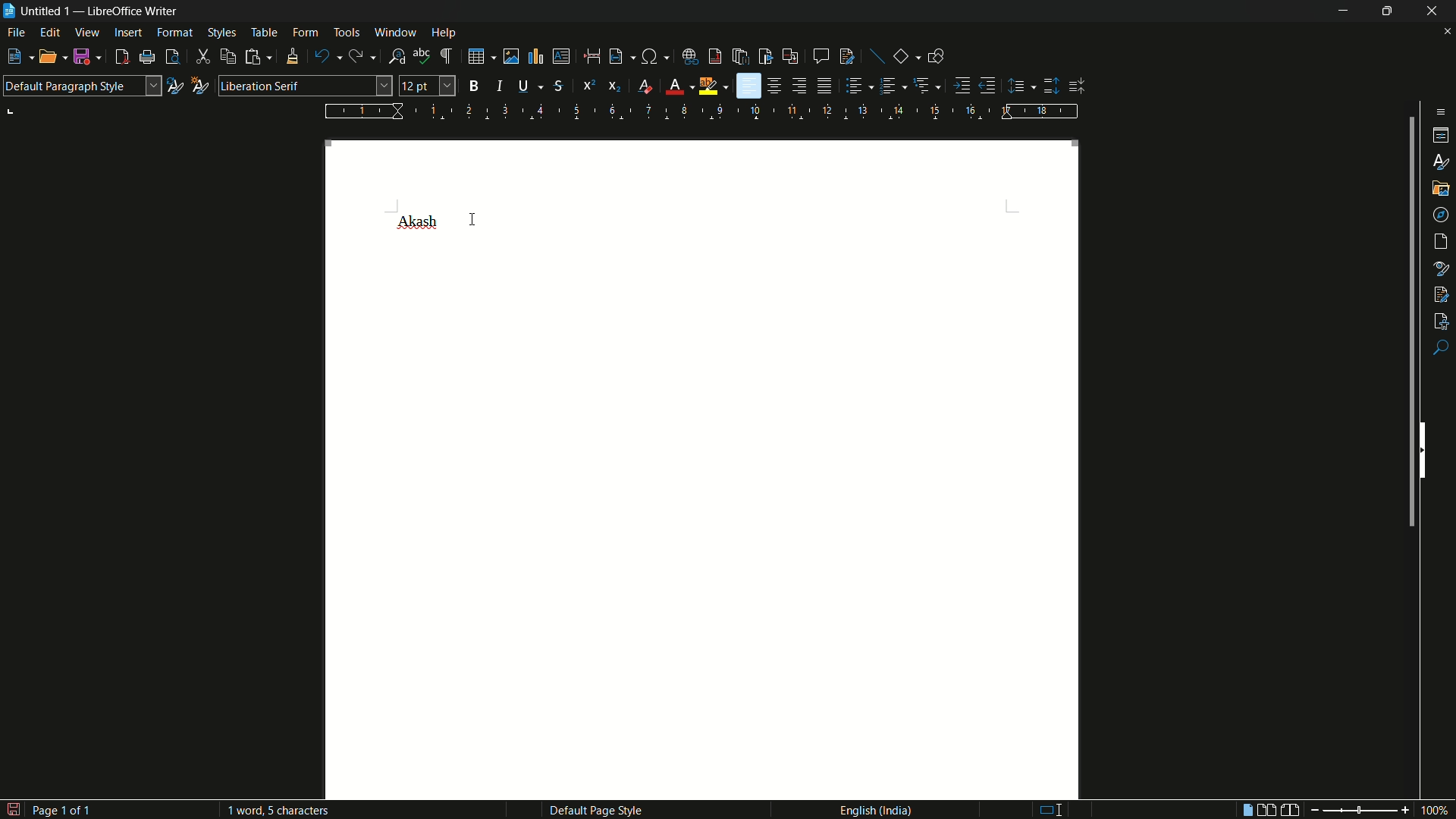 Image resolution: width=1456 pixels, height=819 pixels. Describe the element at coordinates (890, 85) in the screenshot. I see `toggle ordered list` at that location.